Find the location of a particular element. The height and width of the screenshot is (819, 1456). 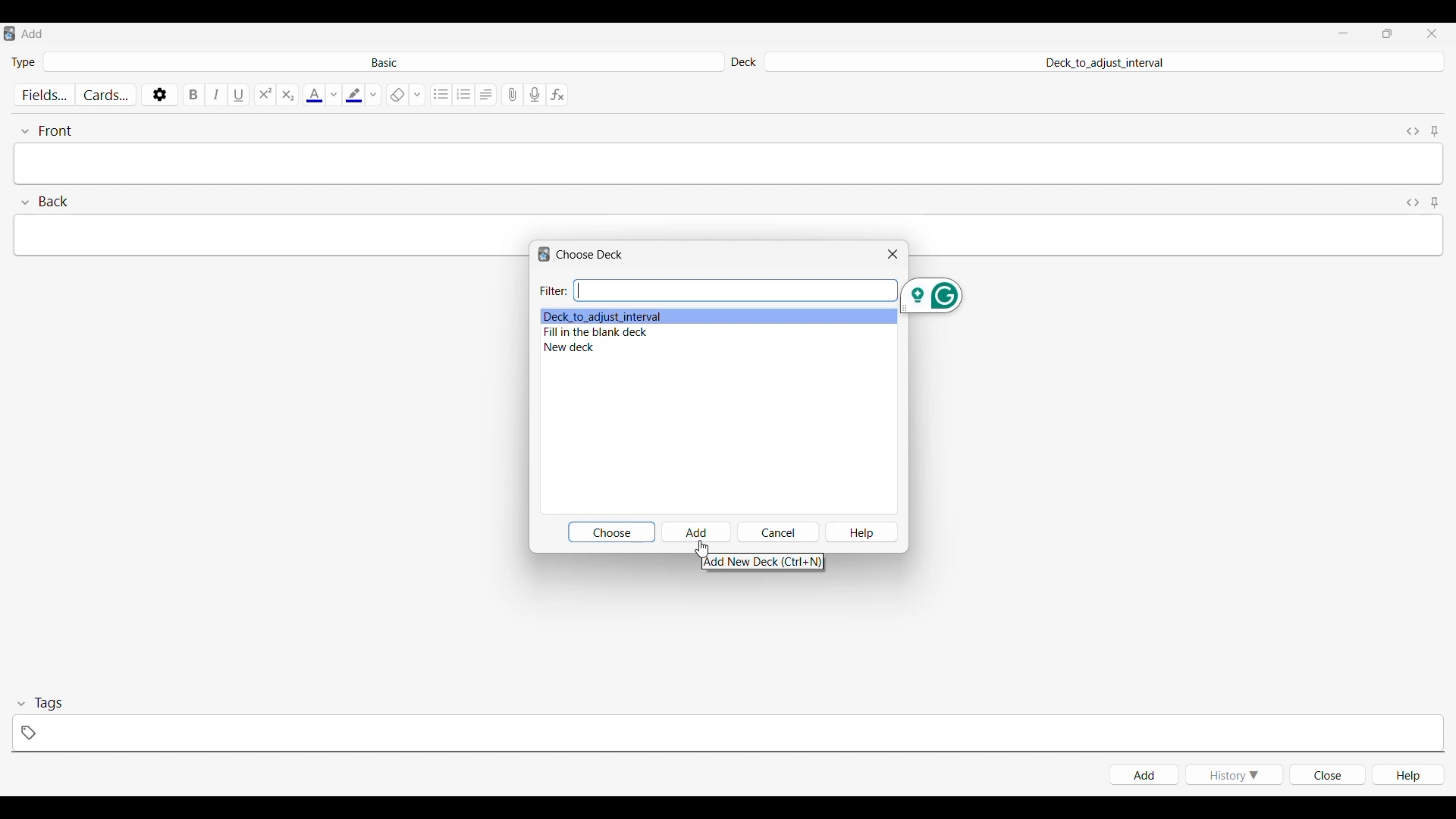

Toggle sticky  is located at coordinates (1434, 132).